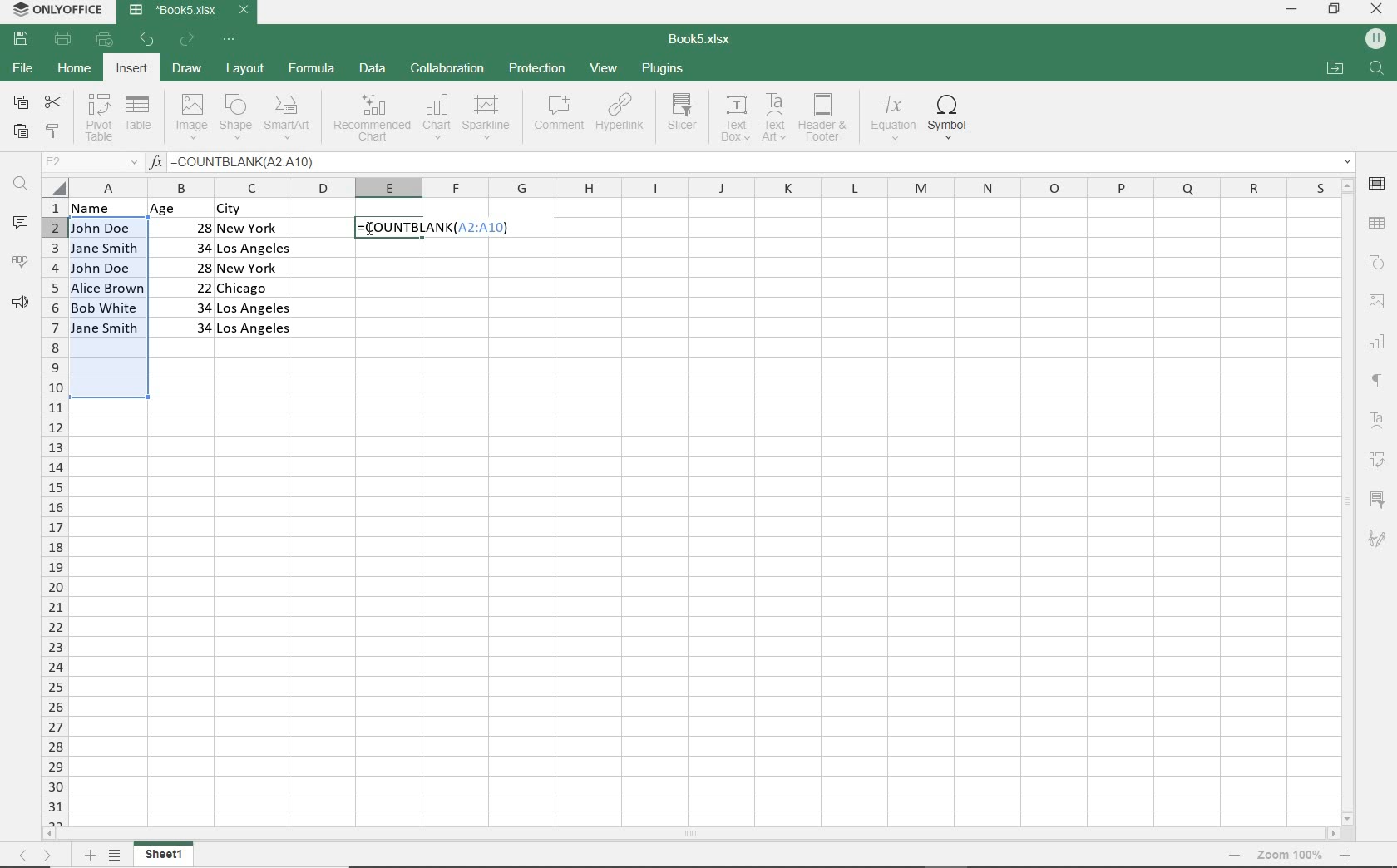 This screenshot has height=868, width=1397. What do you see at coordinates (187, 247) in the screenshot?
I see `34` at bounding box center [187, 247].